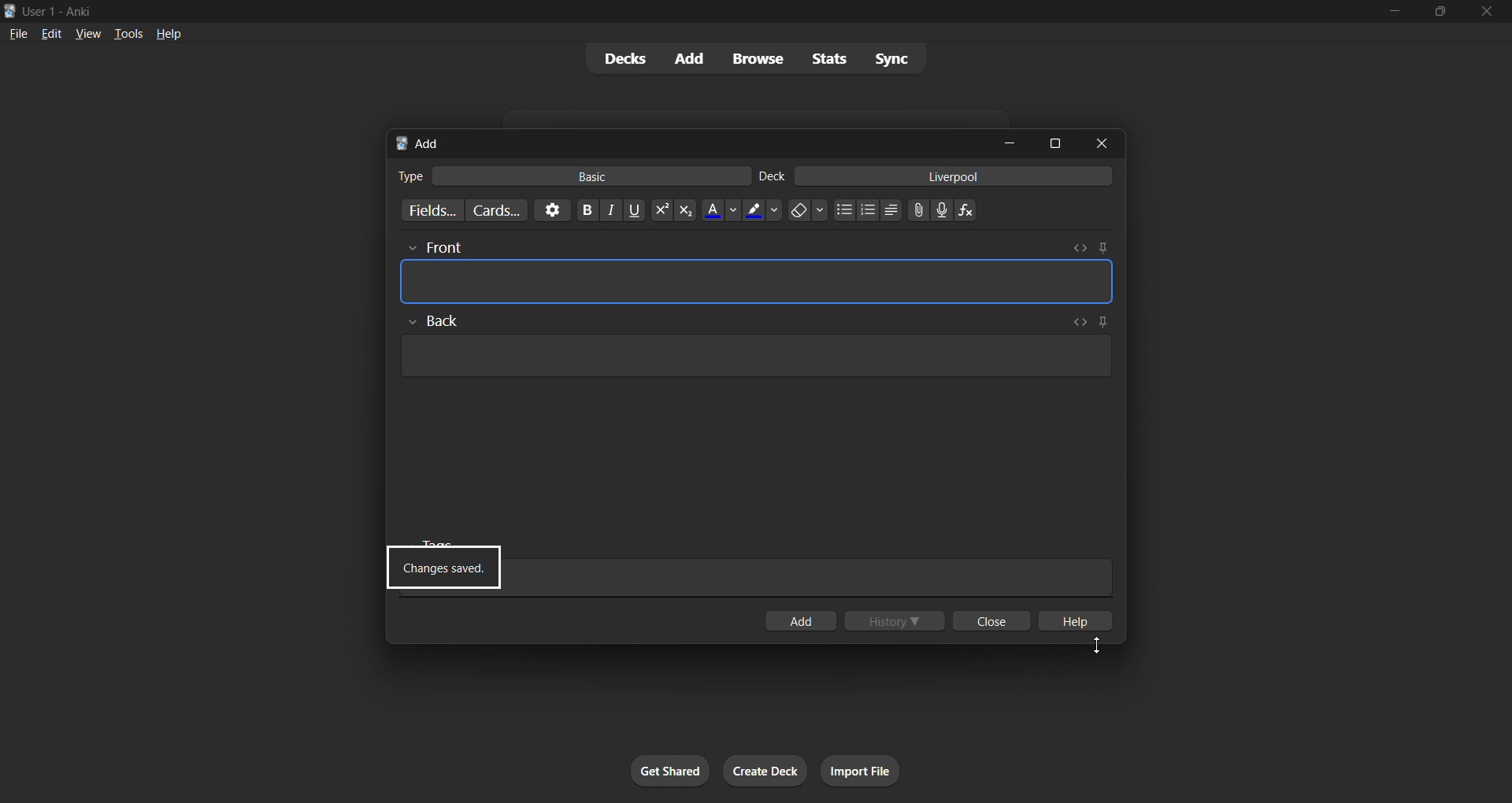 Image resolution: width=1512 pixels, height=803 pixels. What do you see at coordinates (718, 210) in the screenshot?
I see `text color` at bounding box center [718, 210].